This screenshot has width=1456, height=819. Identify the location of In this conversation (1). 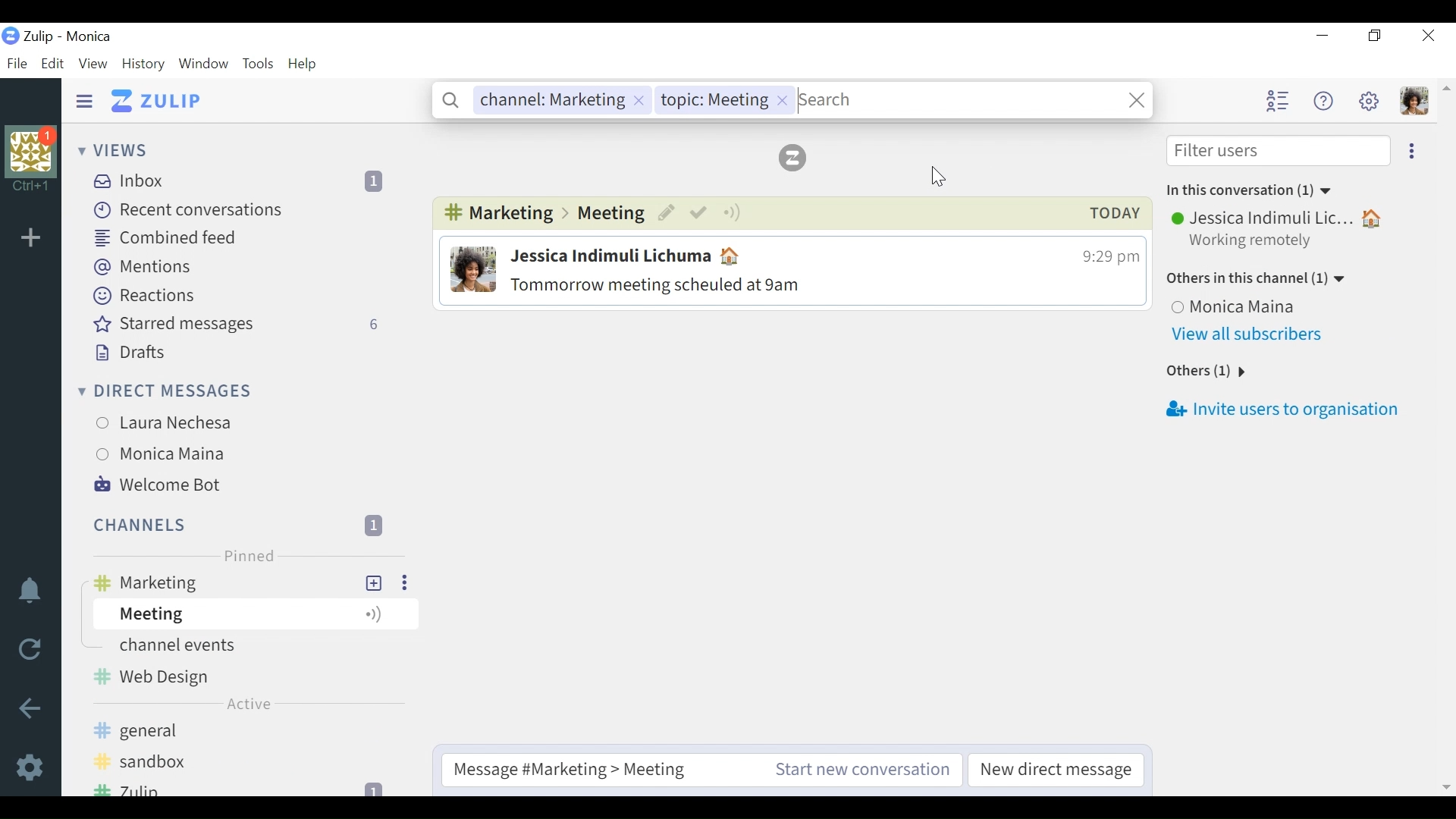
(1249, 191).